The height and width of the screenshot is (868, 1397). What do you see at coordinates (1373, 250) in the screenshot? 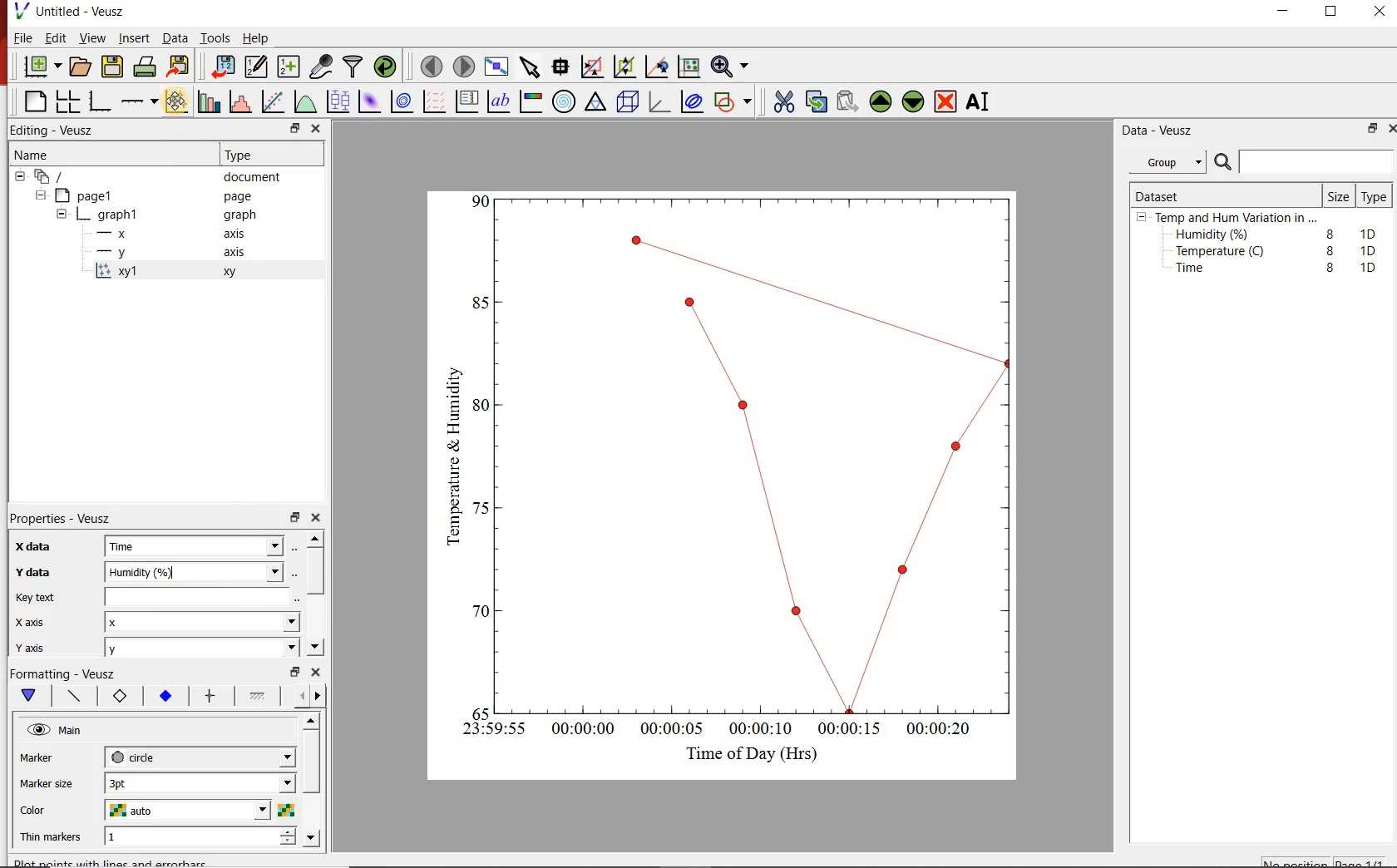
I see `1D` at bounding box center [1373, 250].